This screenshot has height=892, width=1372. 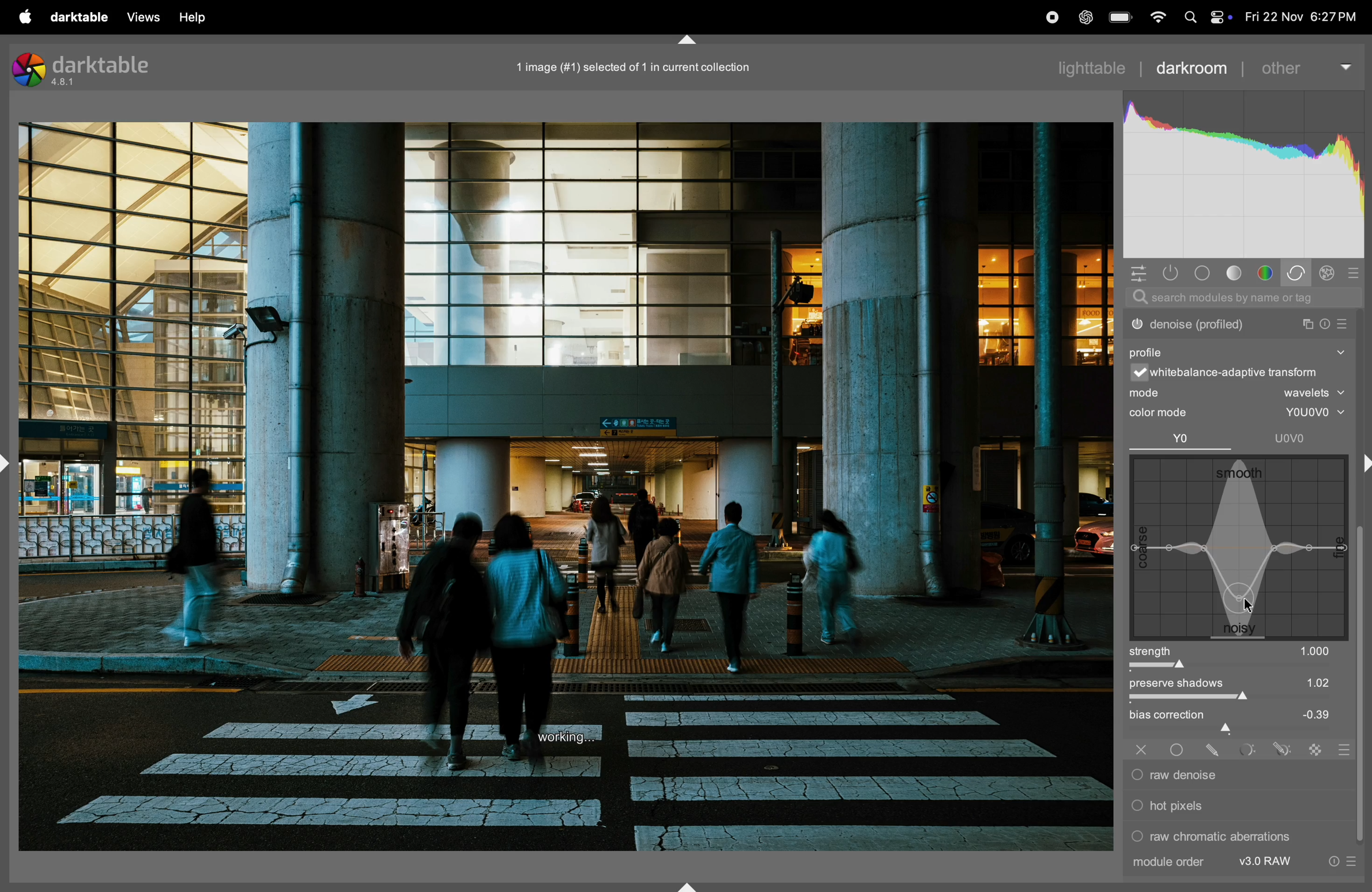 I want to click on wavelets, so click(x=1311, y=392).